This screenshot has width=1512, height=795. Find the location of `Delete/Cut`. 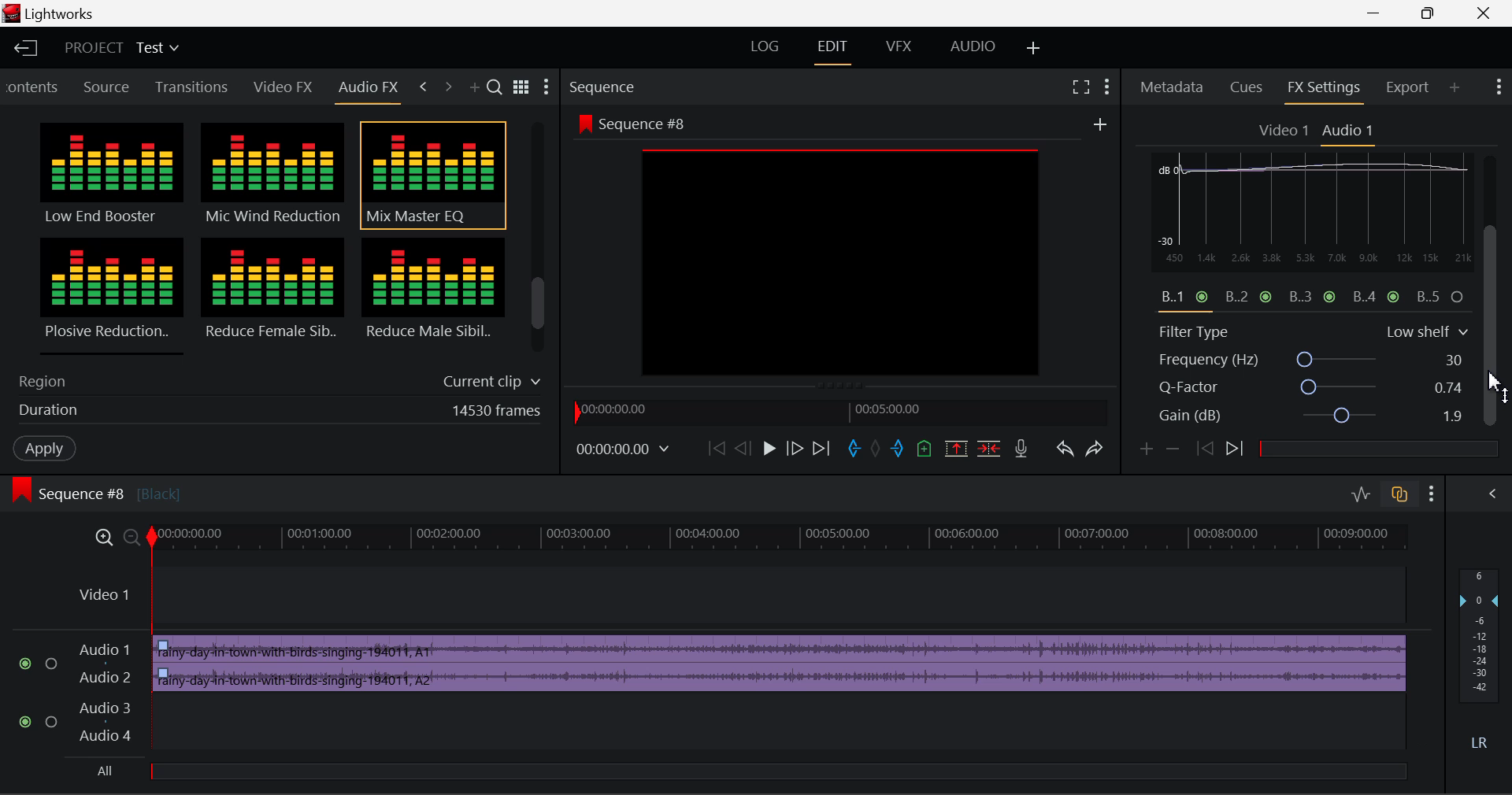

Delete/Cut is located at coordinates (991, 449).